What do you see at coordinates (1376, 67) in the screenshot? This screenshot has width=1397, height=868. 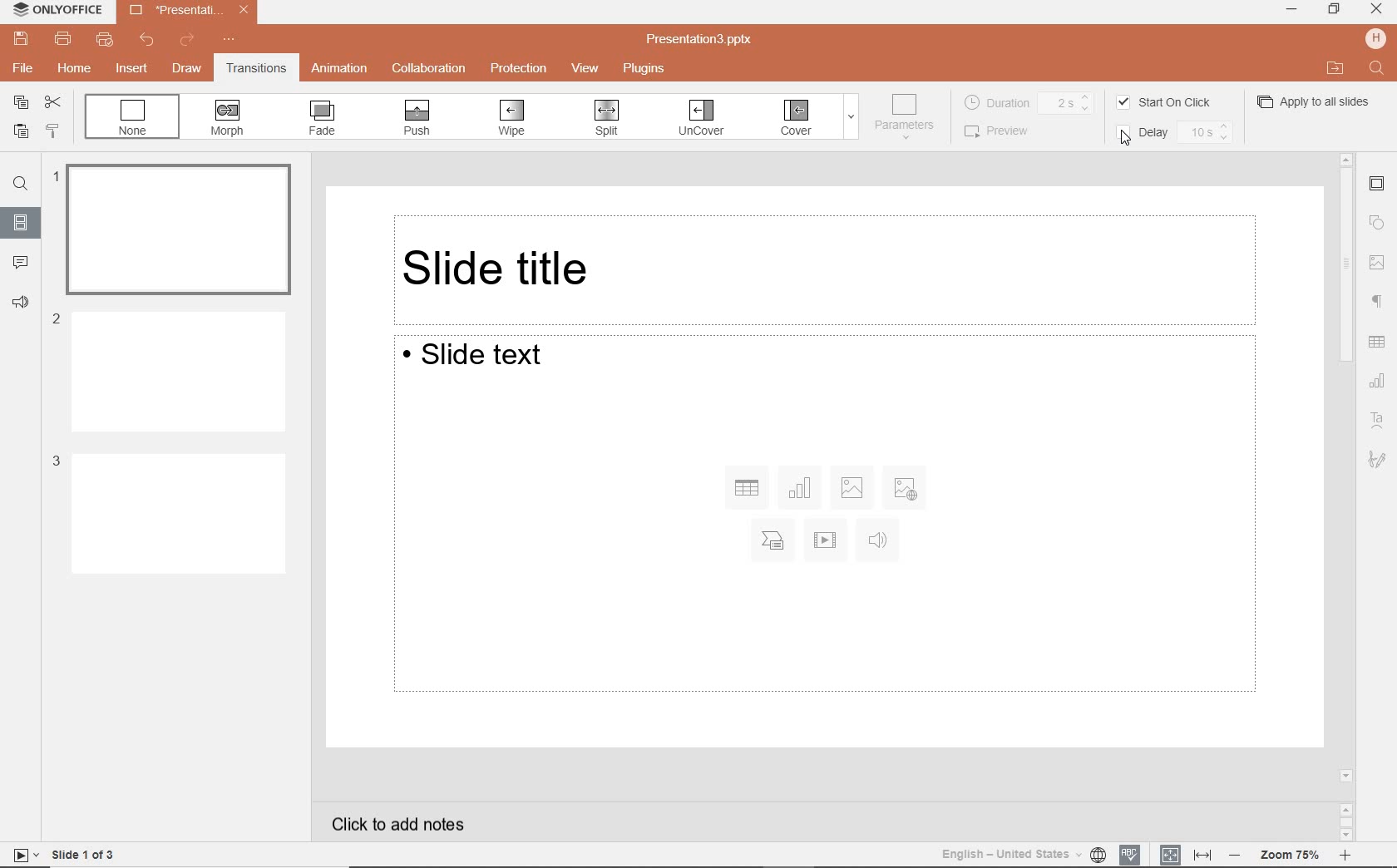 I see `FIND` at bounding box center [1376, 67].